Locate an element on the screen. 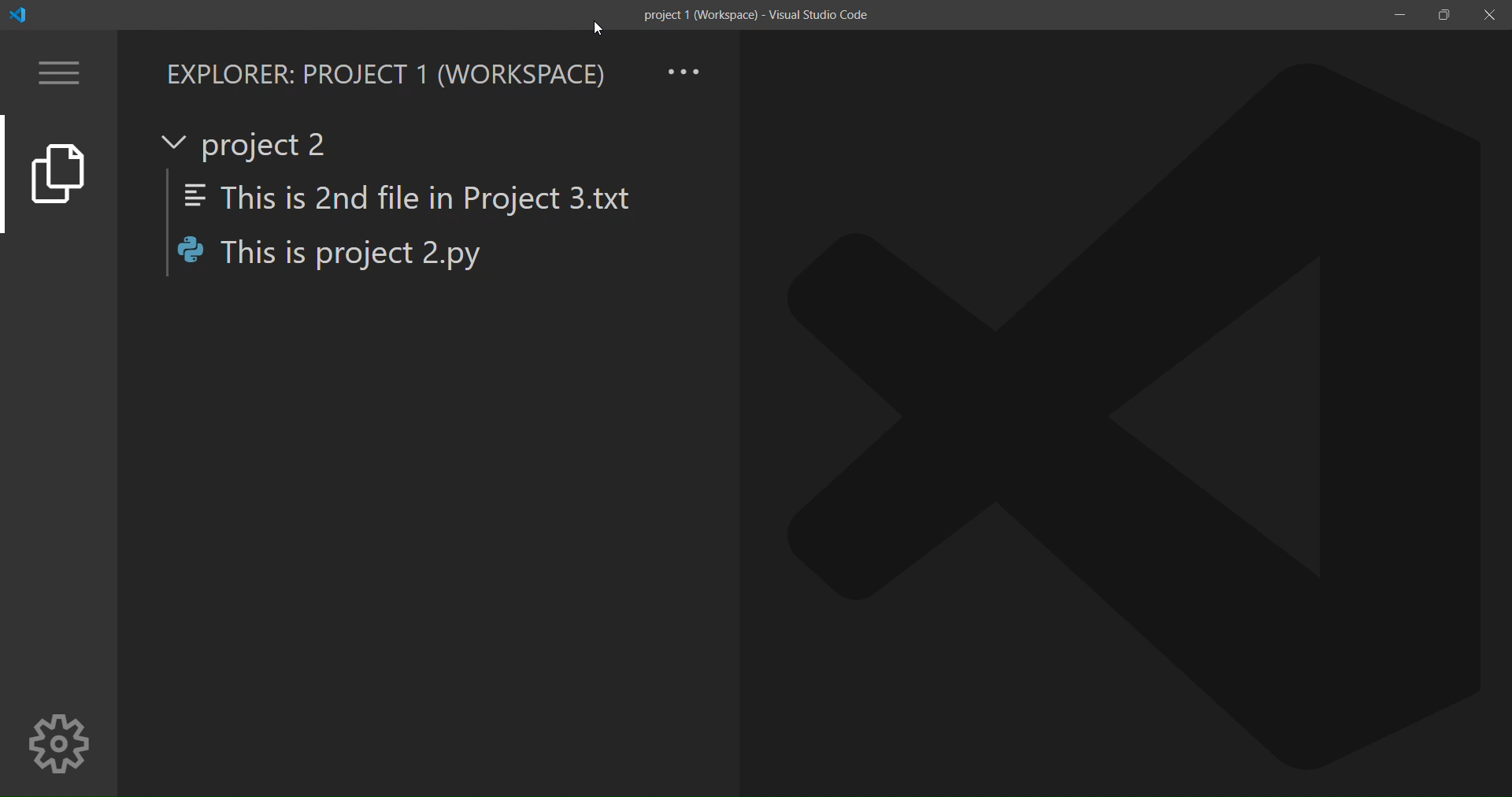 The width and height of the screenshot is (1512, 797). cursor is located at coordinates (600, 28).